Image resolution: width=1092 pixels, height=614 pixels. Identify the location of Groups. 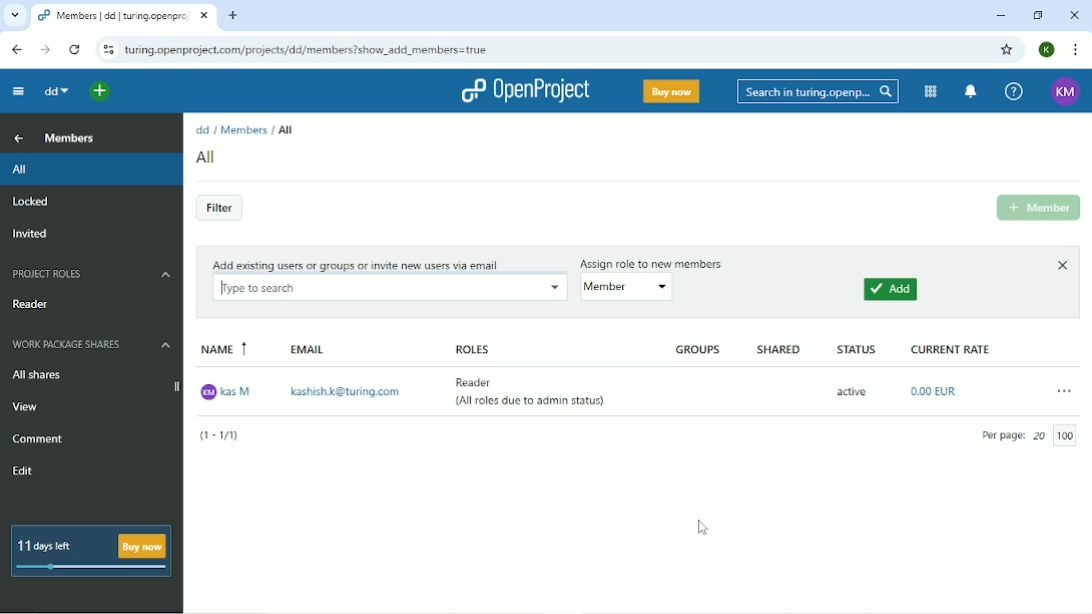
(700, 350).